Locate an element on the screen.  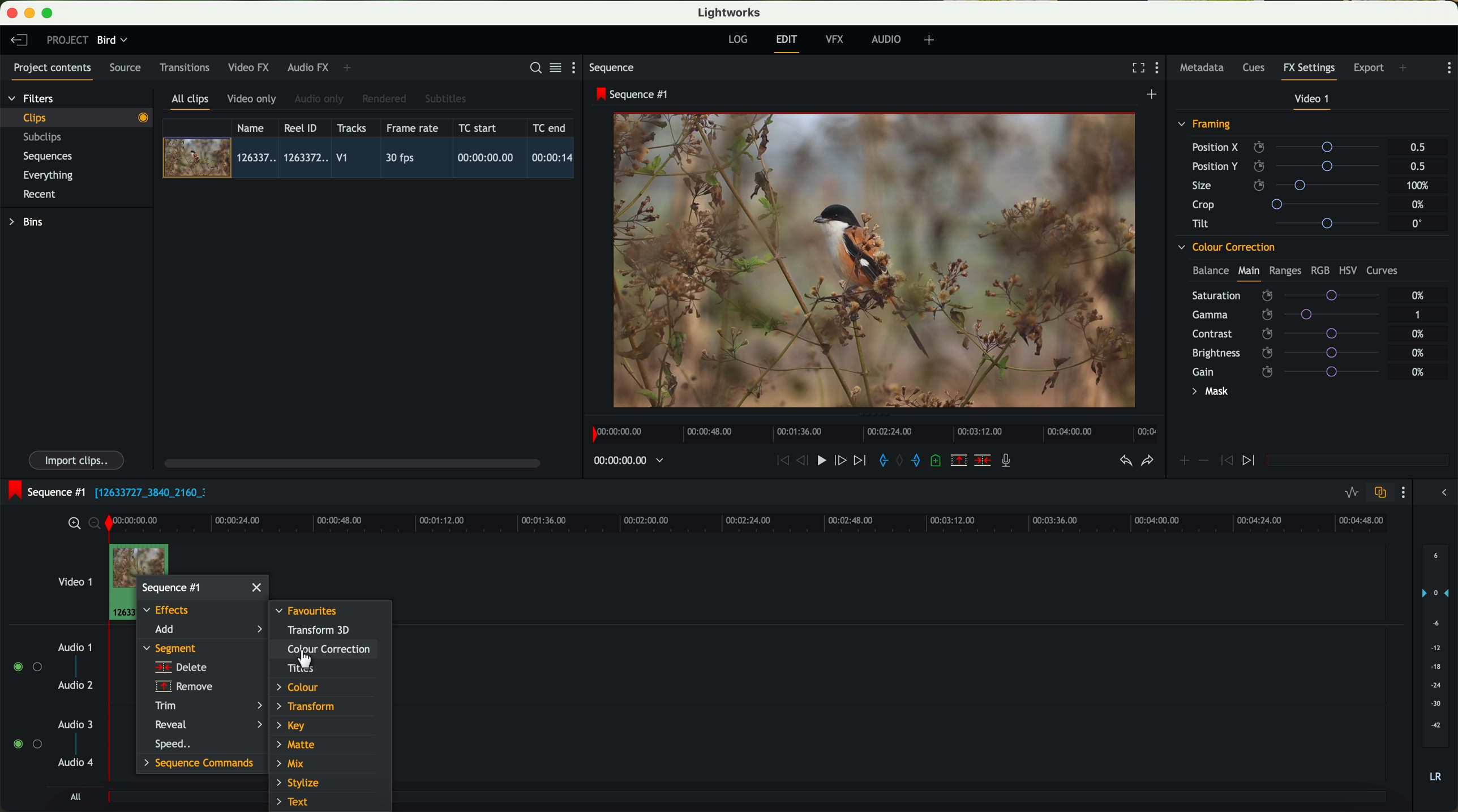
subclips is located at coordinates (45, 138).